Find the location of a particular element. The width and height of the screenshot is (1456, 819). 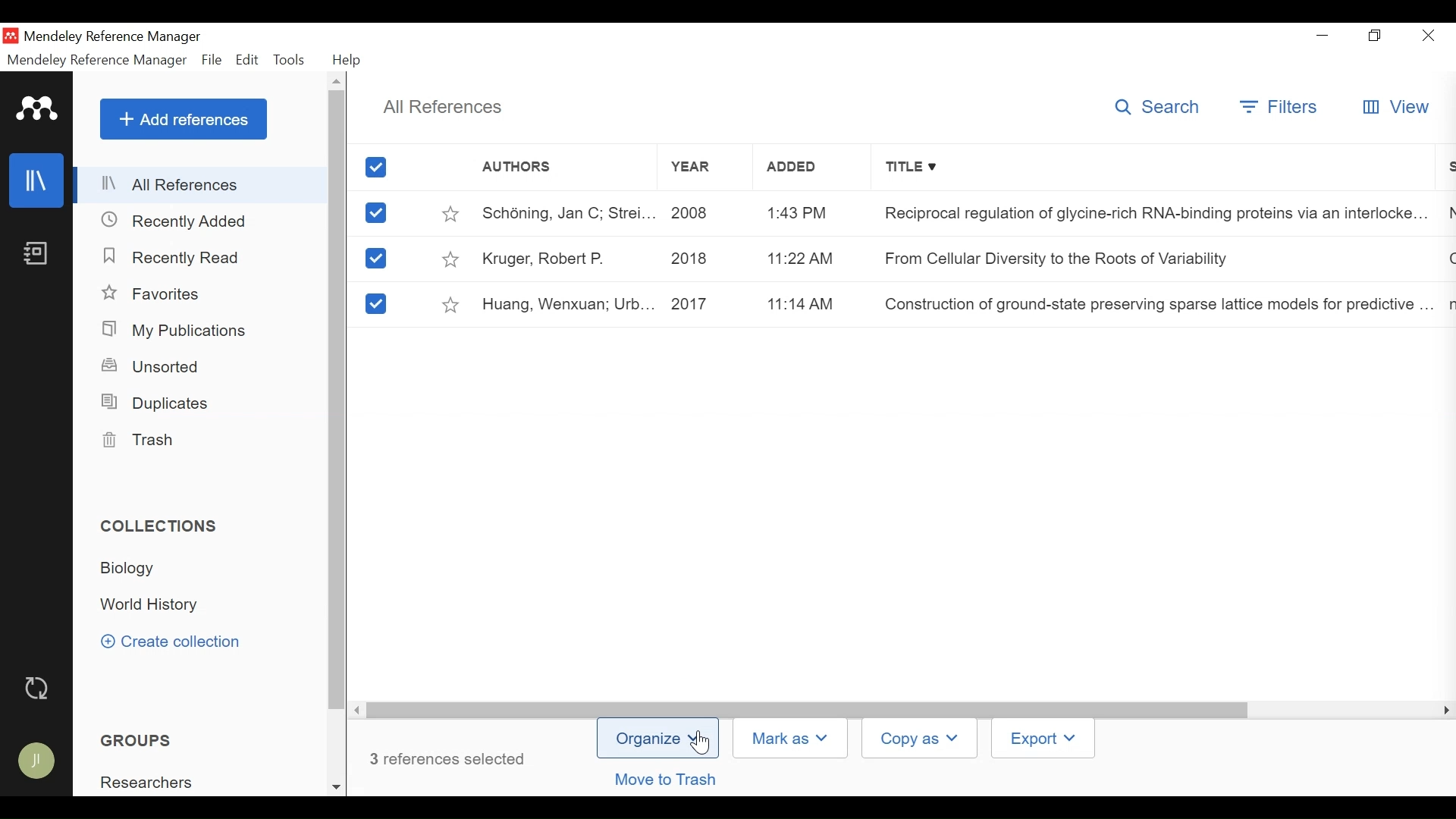

Library is located at coordinates (36, 180).